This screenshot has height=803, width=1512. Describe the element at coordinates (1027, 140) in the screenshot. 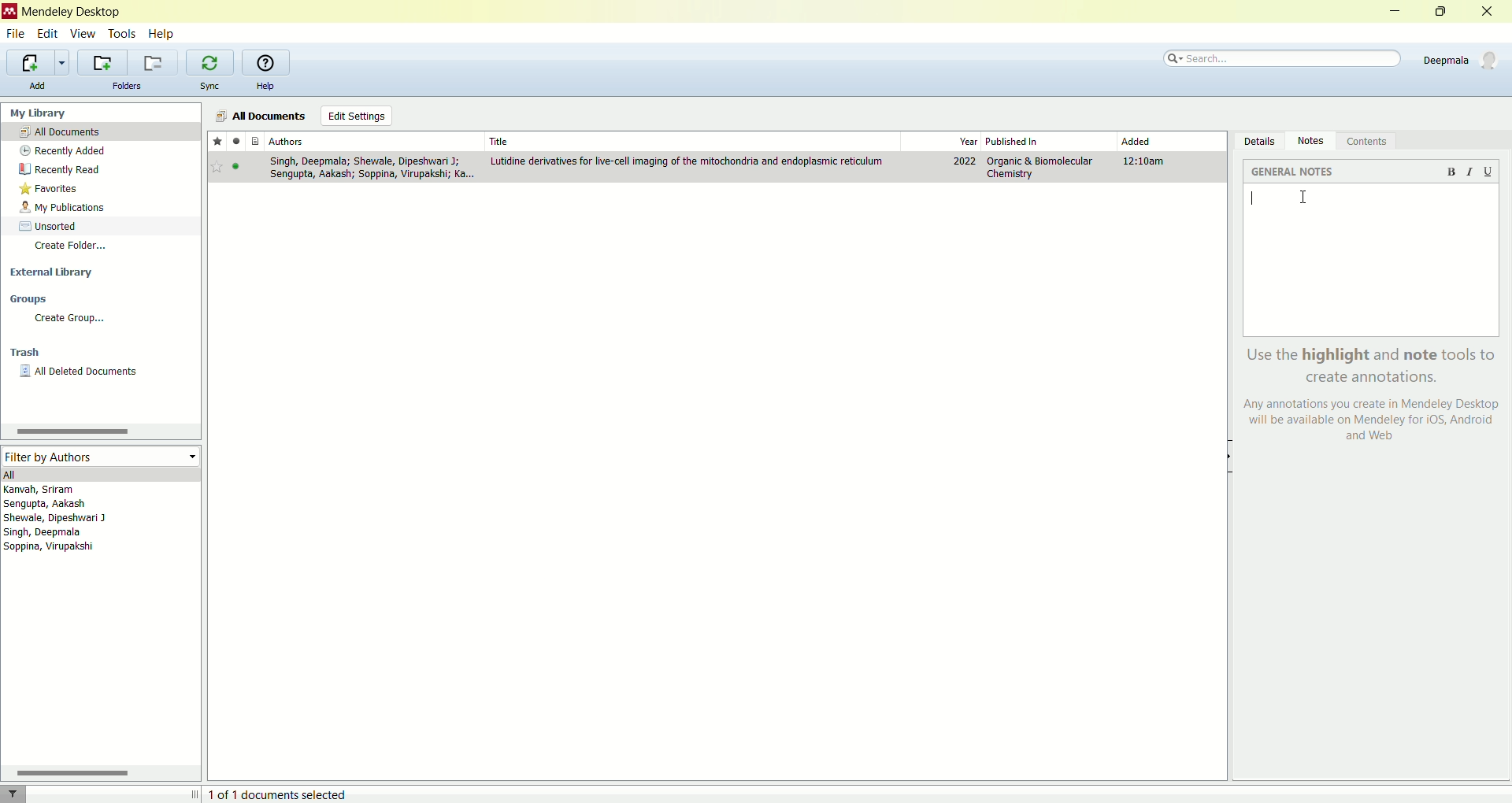

I see `published in` at that location.